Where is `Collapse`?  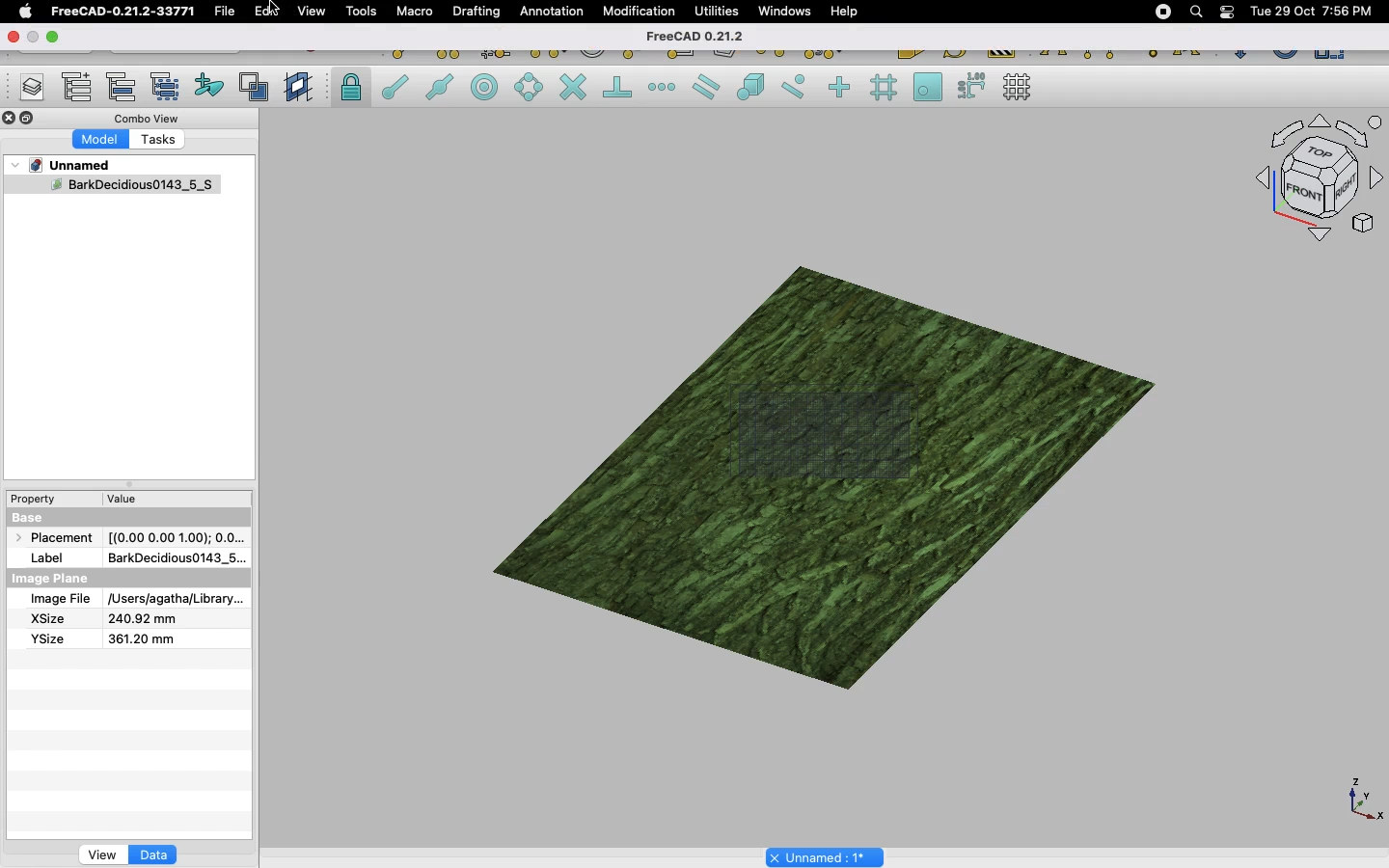 Collapse is located at coordinates (28, 119).